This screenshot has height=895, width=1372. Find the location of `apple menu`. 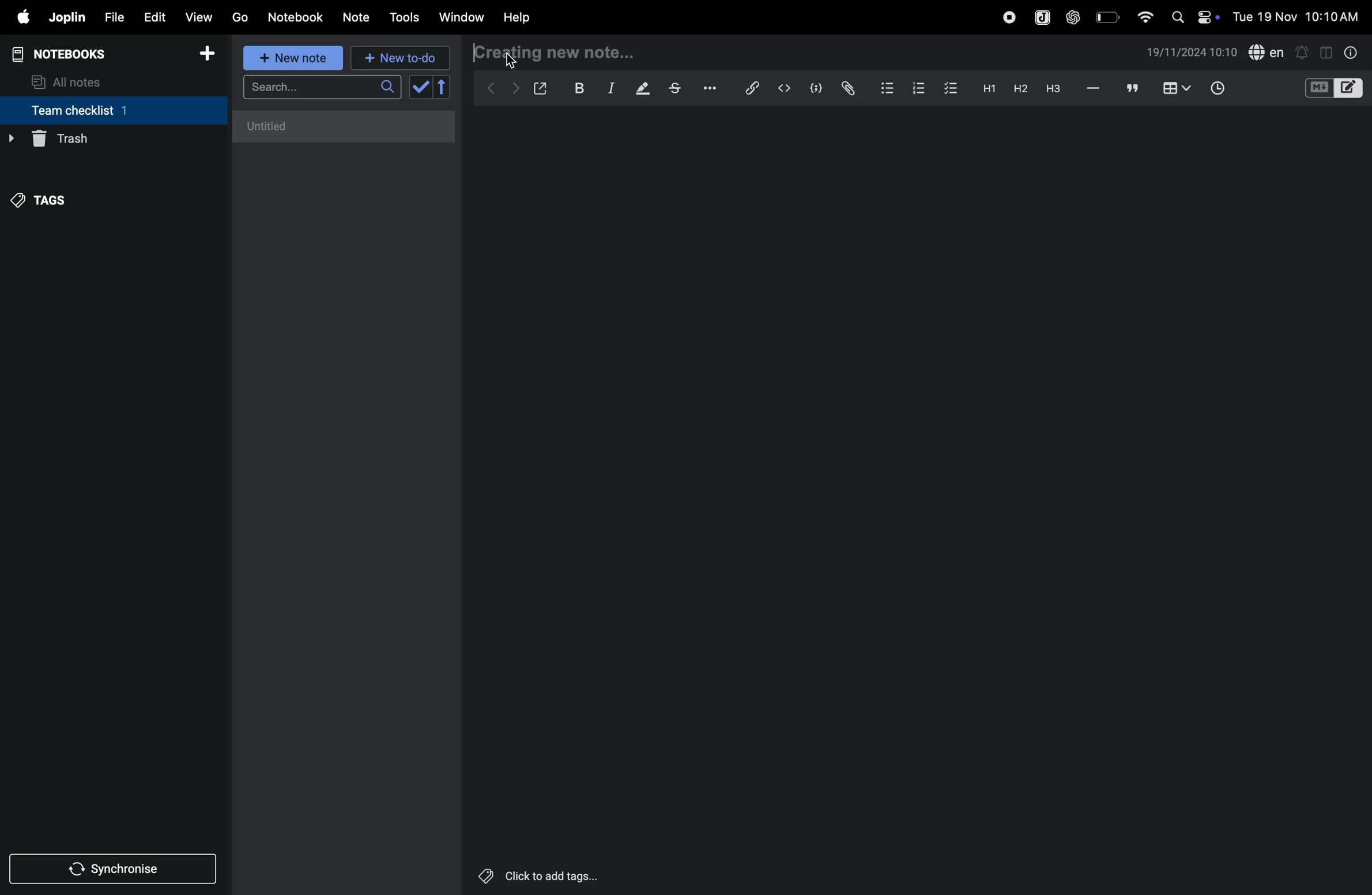

apple menu is located at coordinates (22, 18).